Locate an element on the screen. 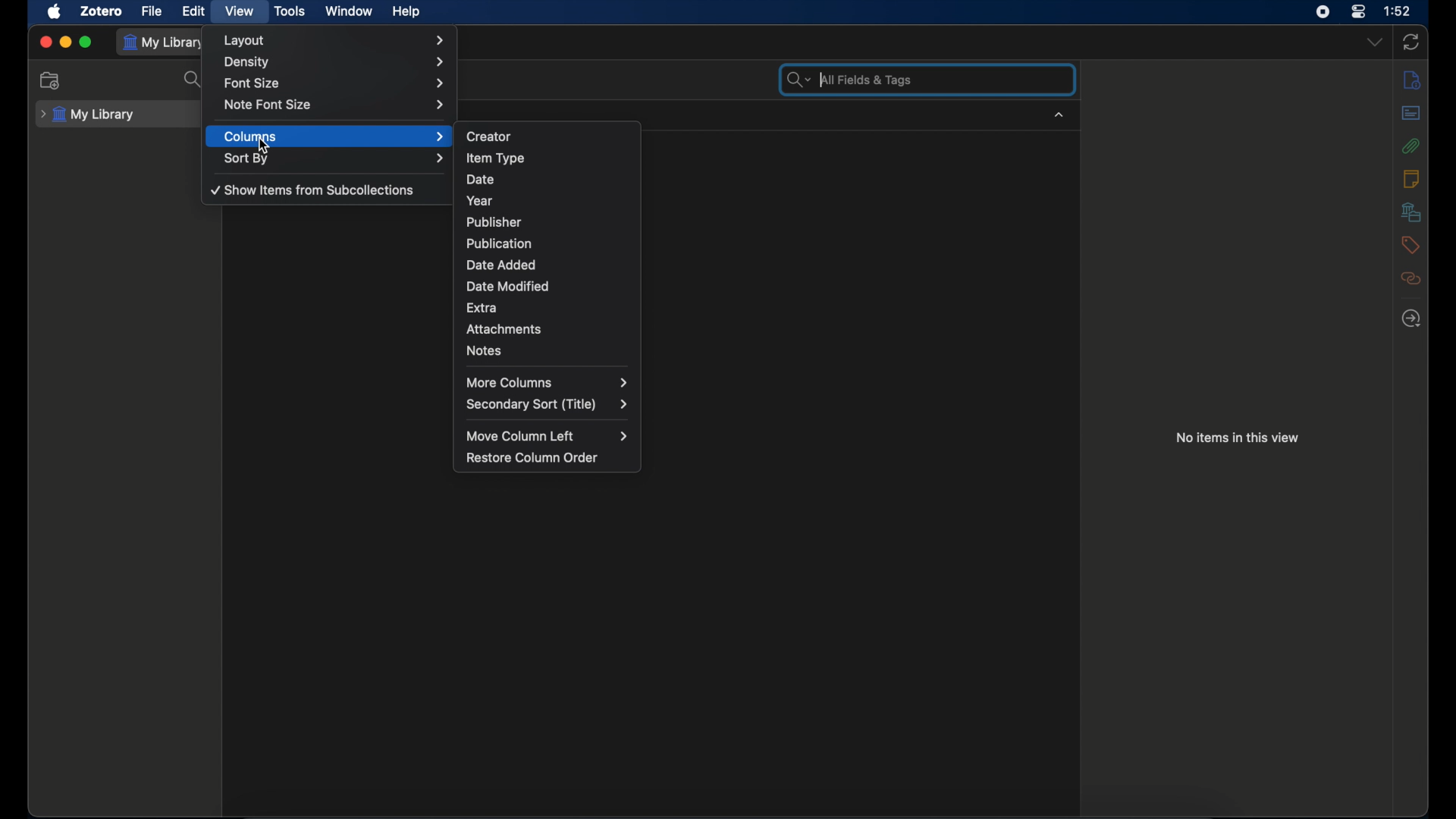 This screenshot has height=819, width=1456. screen recorder icon is located at coordinates (1321, 12).